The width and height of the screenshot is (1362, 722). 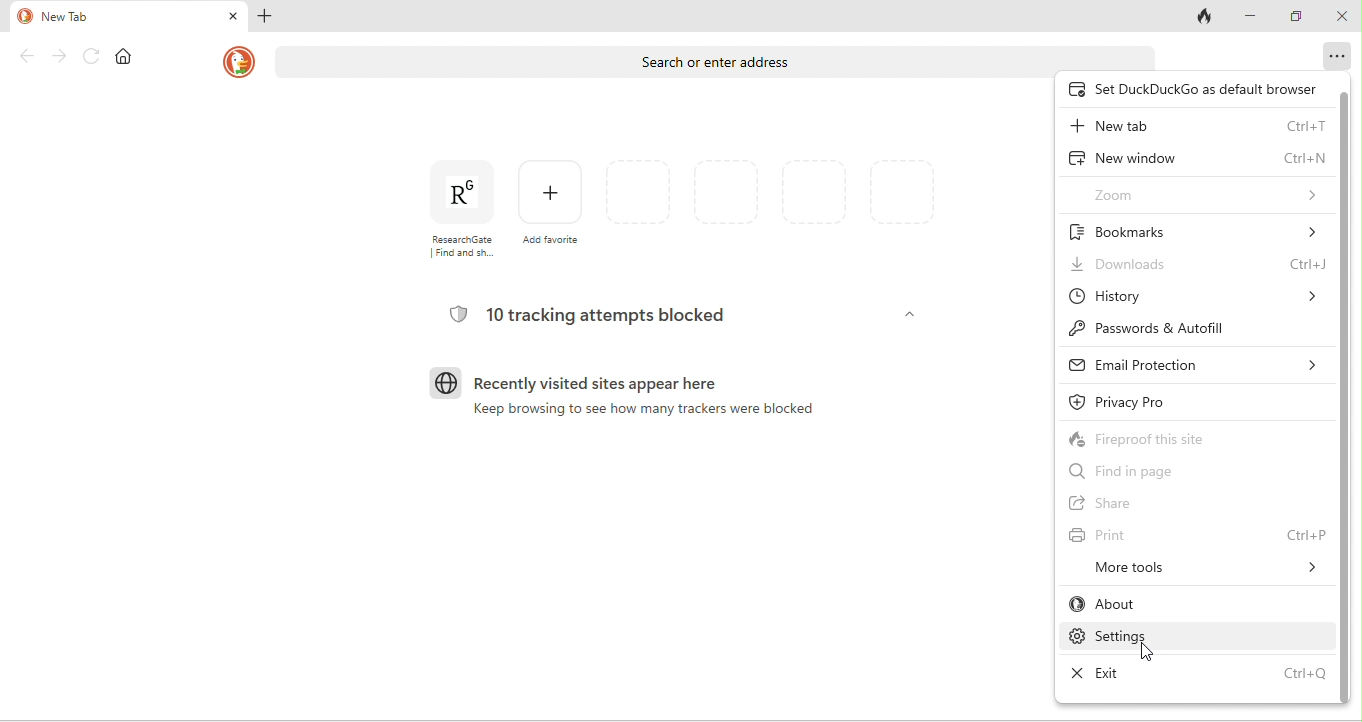 What do you see at coordinates (445, 382) in the screenshot?
I see `browser logo` at bounding box center [445, 382].